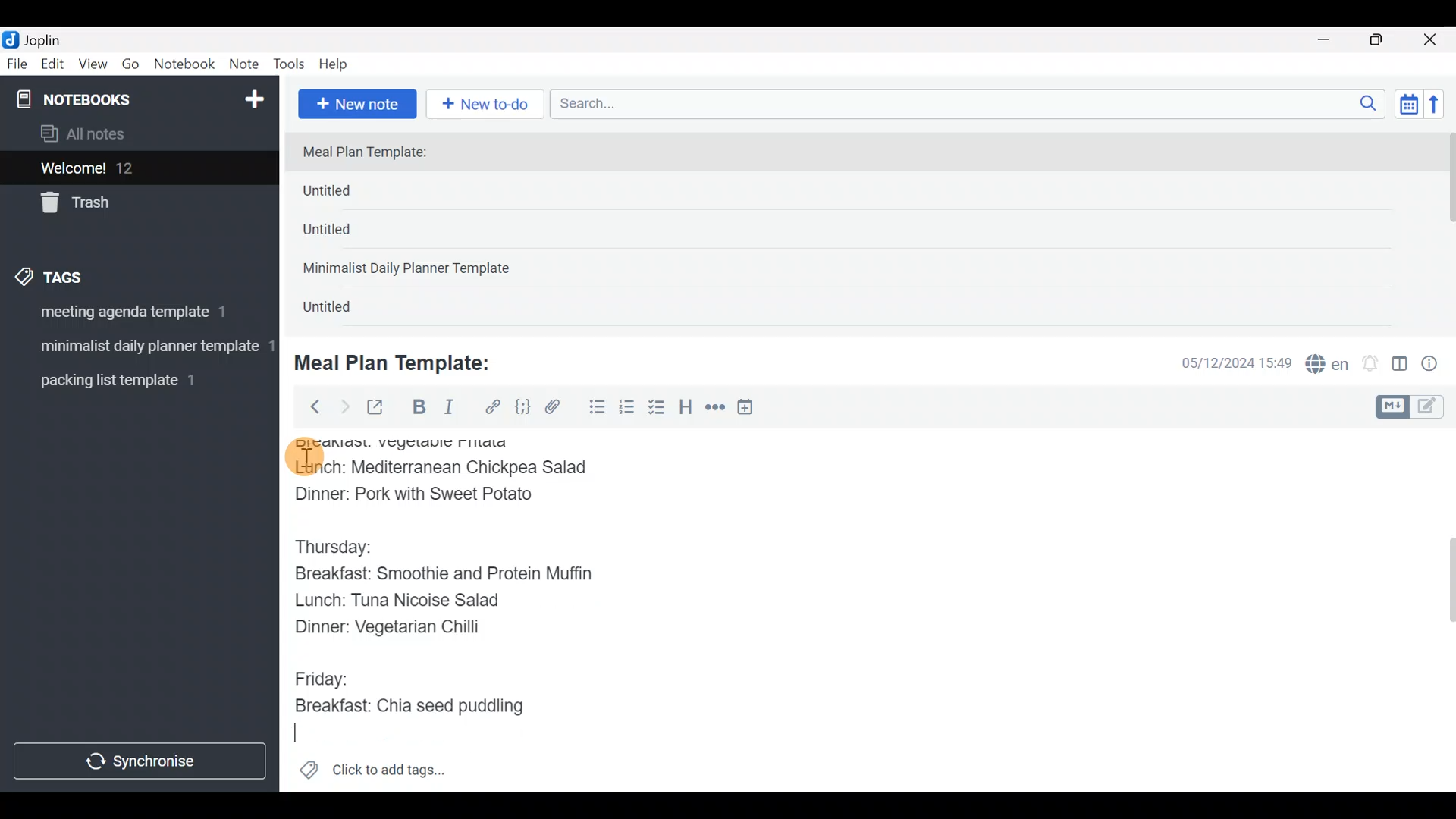 This screenshot has width=1456, height=819. Describe the element at coordinates (1442, 108) in the screenshot. I see `Reverse sort` at that location.